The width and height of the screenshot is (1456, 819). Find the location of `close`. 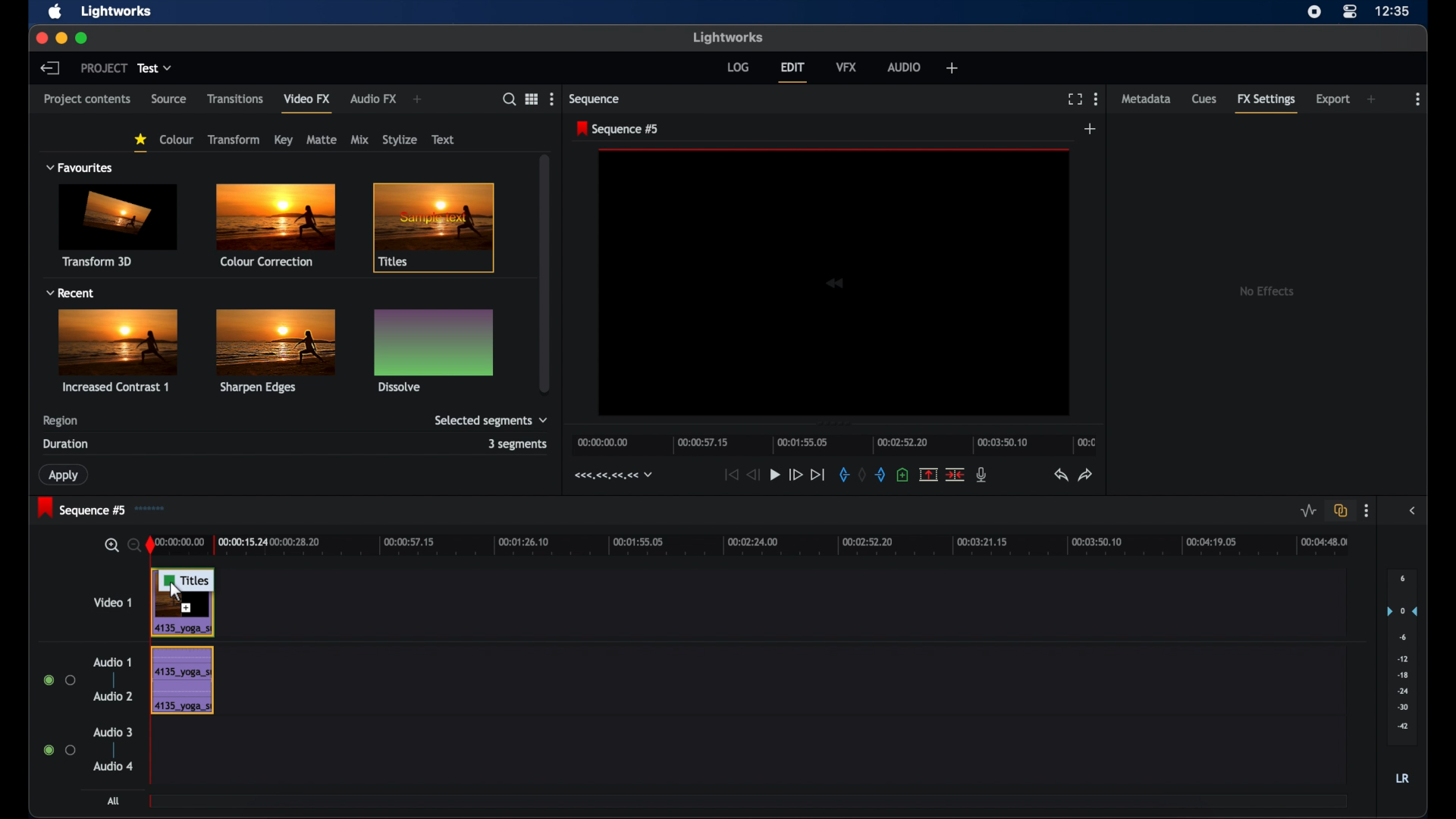

close is located at coordinates (40, 37).